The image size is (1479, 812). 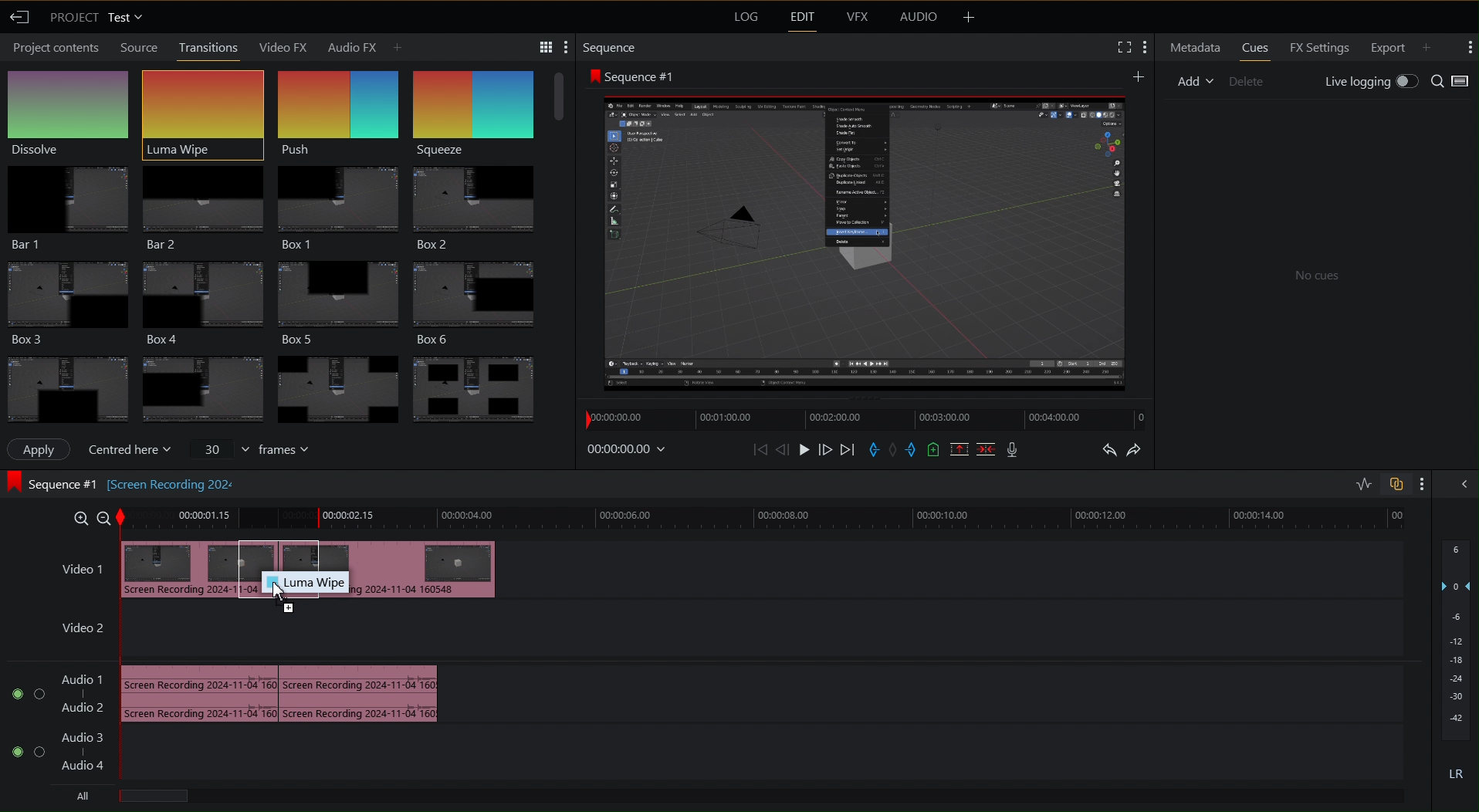 I want to click on Luma Wipe, so click(x=304, y=583).